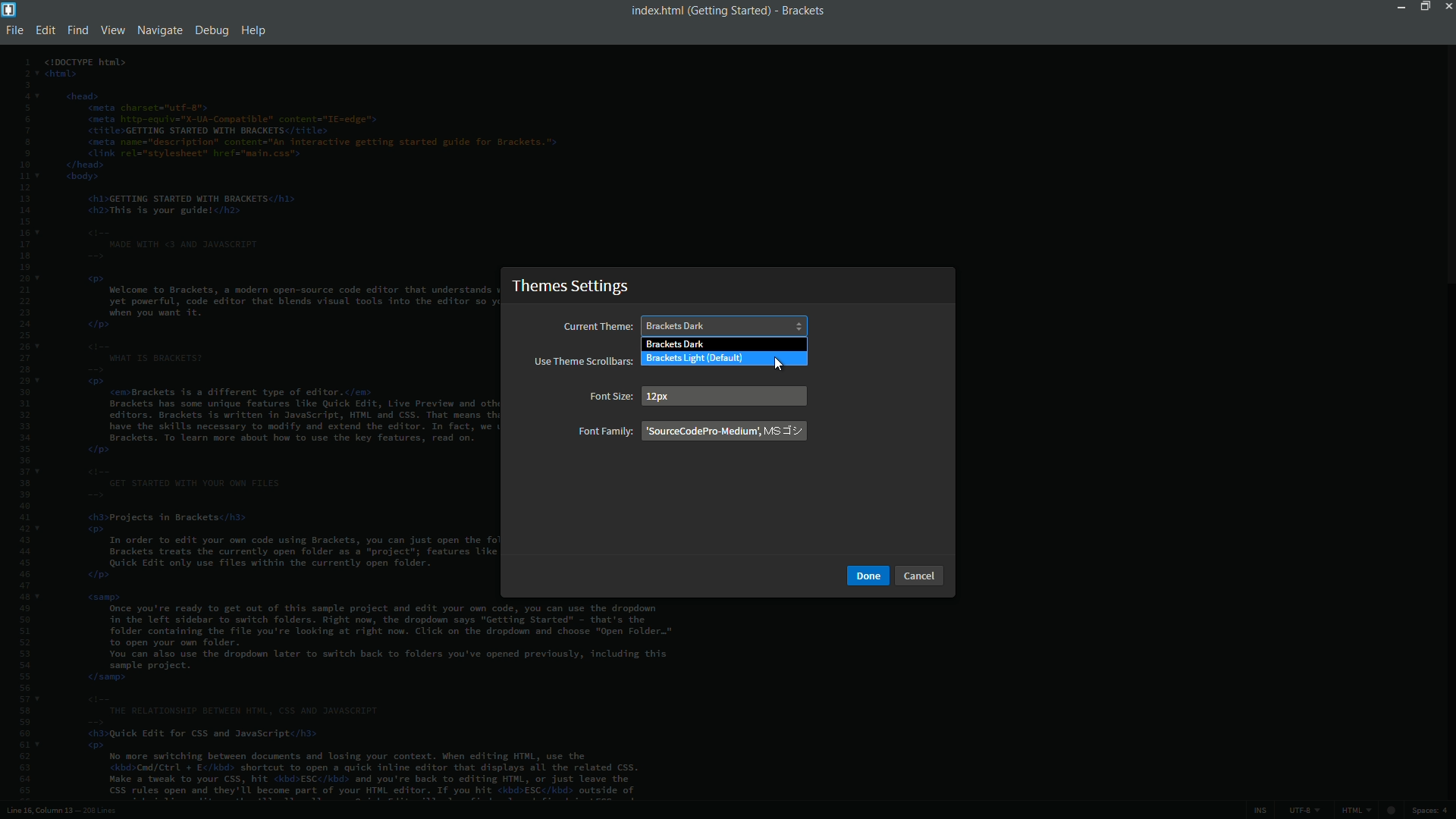  Describe the element at coordinates (1358, 811) in the screenshot. I see `file format` at that location.